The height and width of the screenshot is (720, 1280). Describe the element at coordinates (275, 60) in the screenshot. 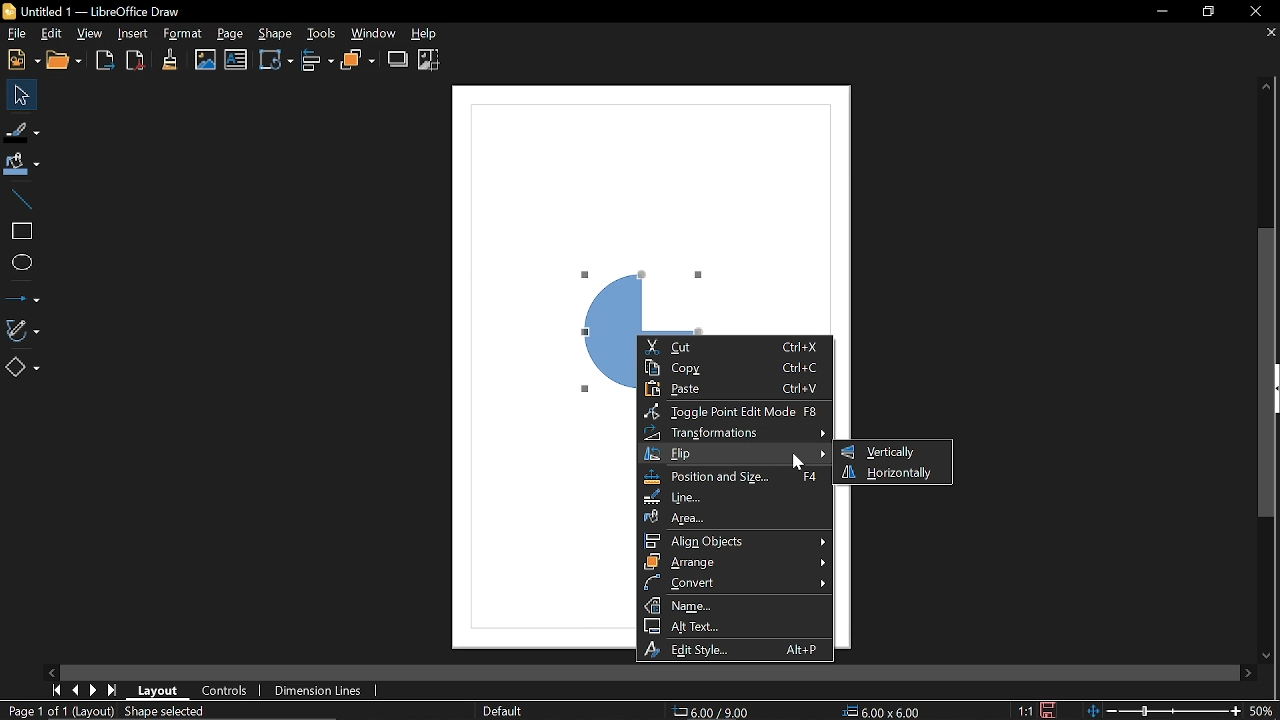

I see `Transformation` at that location.